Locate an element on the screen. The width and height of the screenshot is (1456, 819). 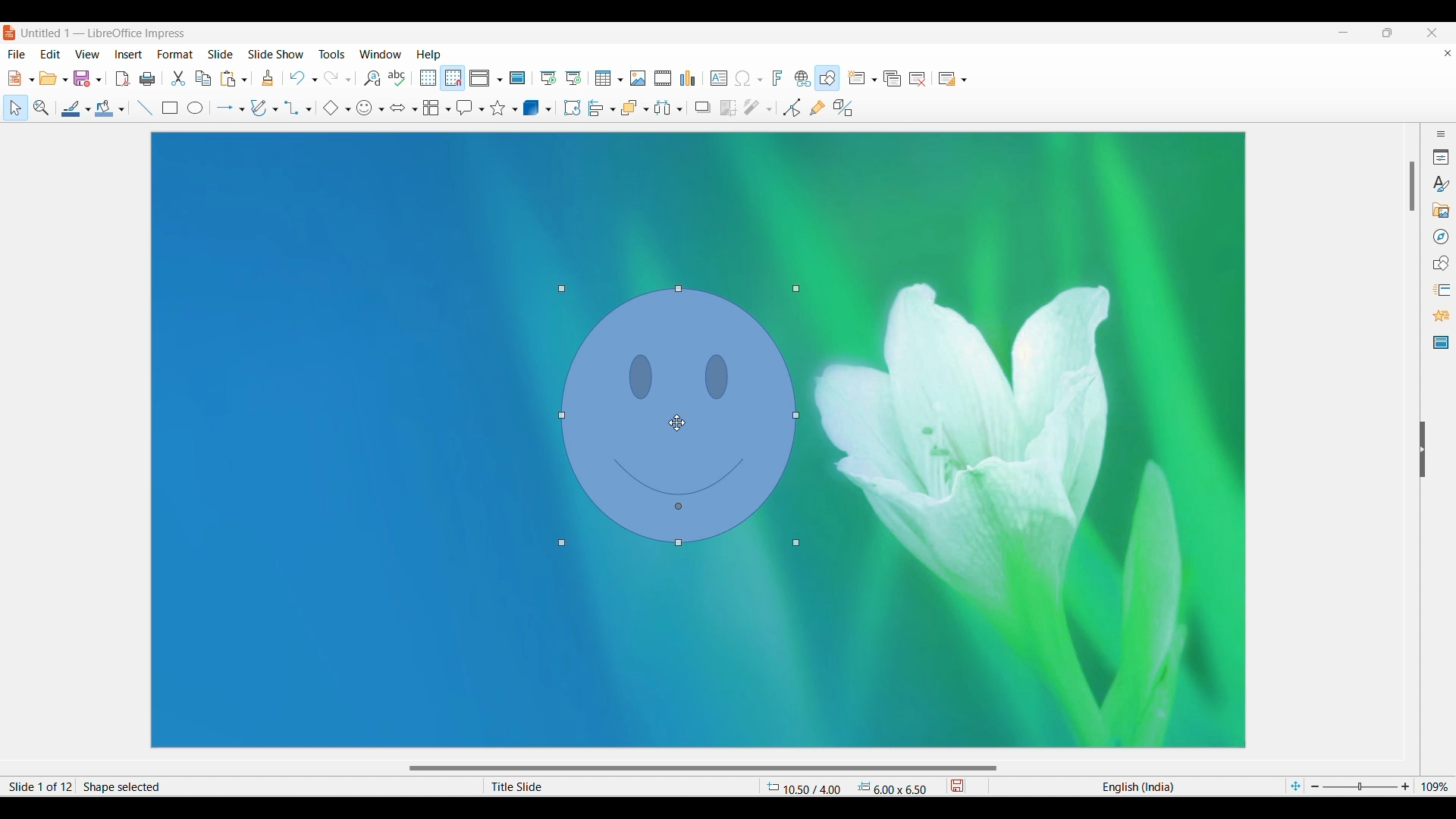
Crop image is located at coordinates (728, 108).